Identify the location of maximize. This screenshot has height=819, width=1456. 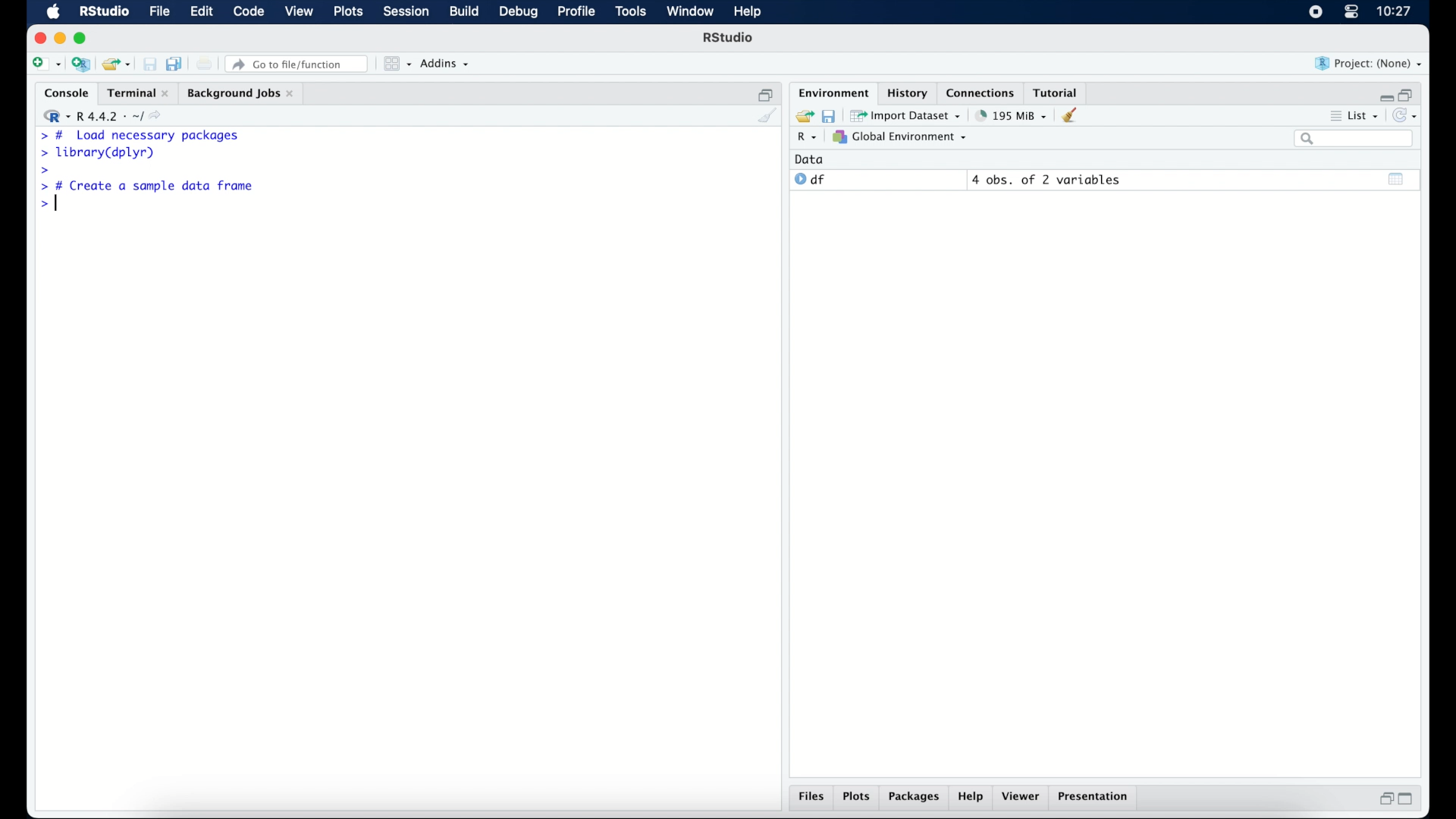
(83, 38).